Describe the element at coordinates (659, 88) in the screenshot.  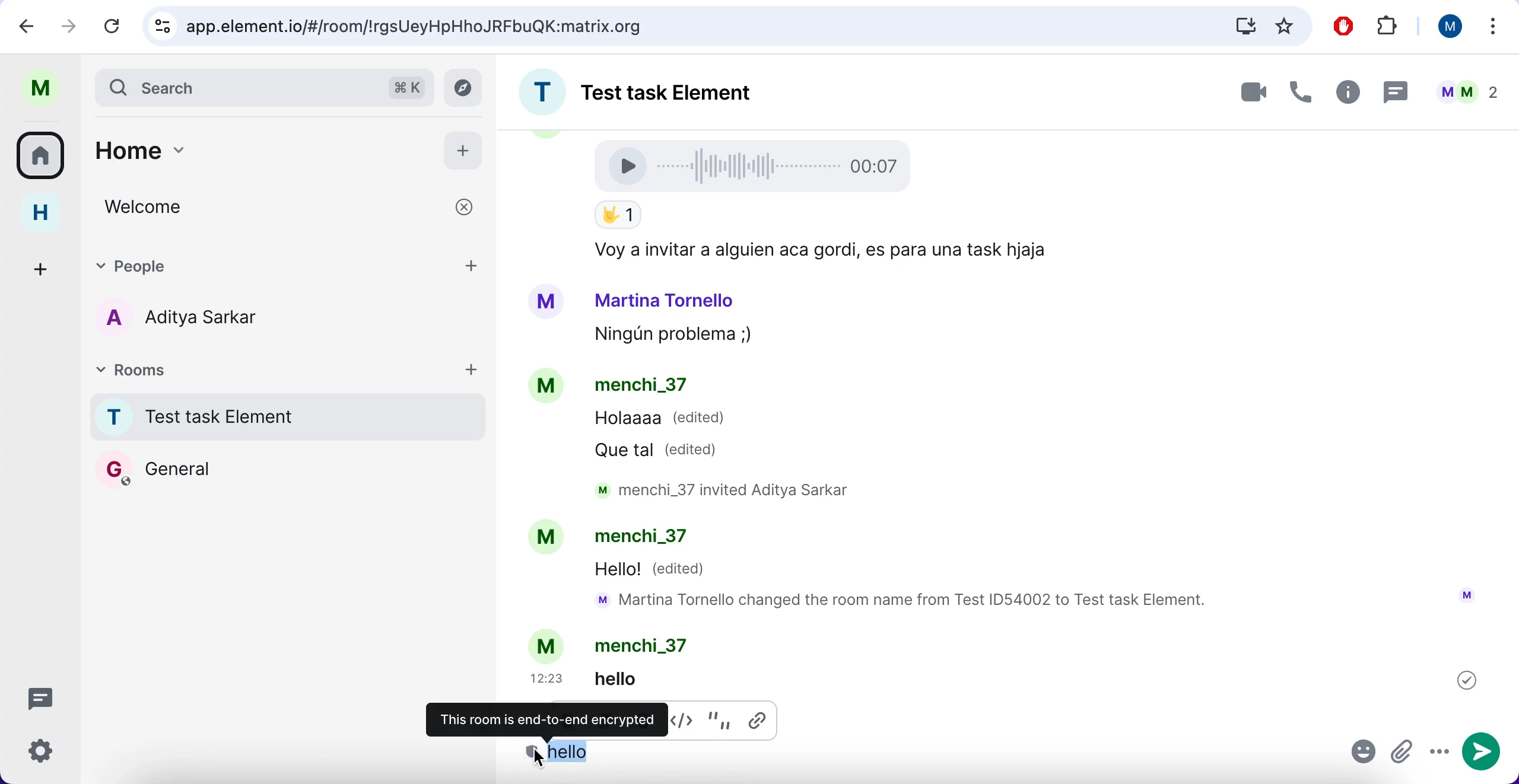
I see `room name` at that location.